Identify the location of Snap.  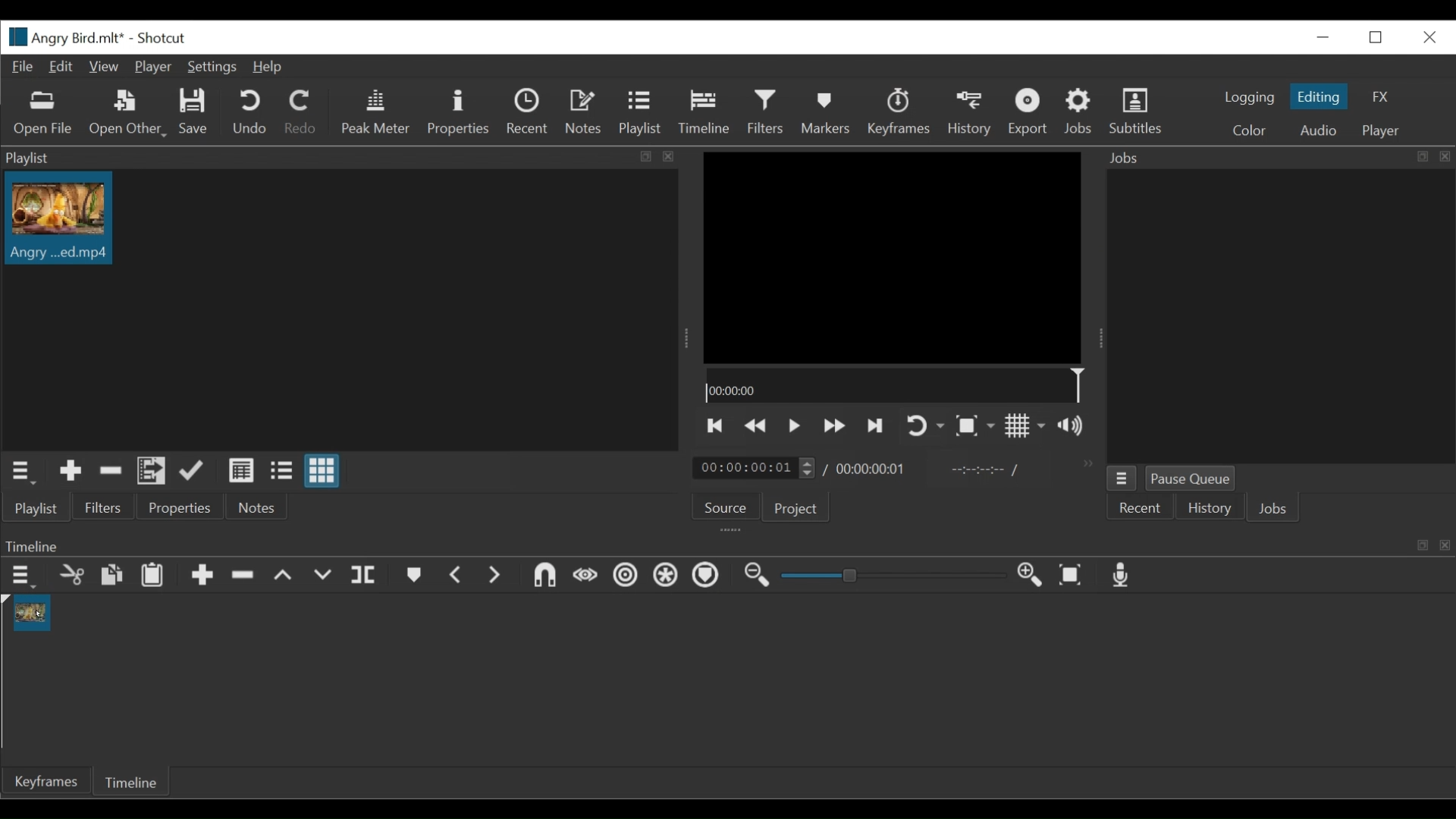
(544, 577).